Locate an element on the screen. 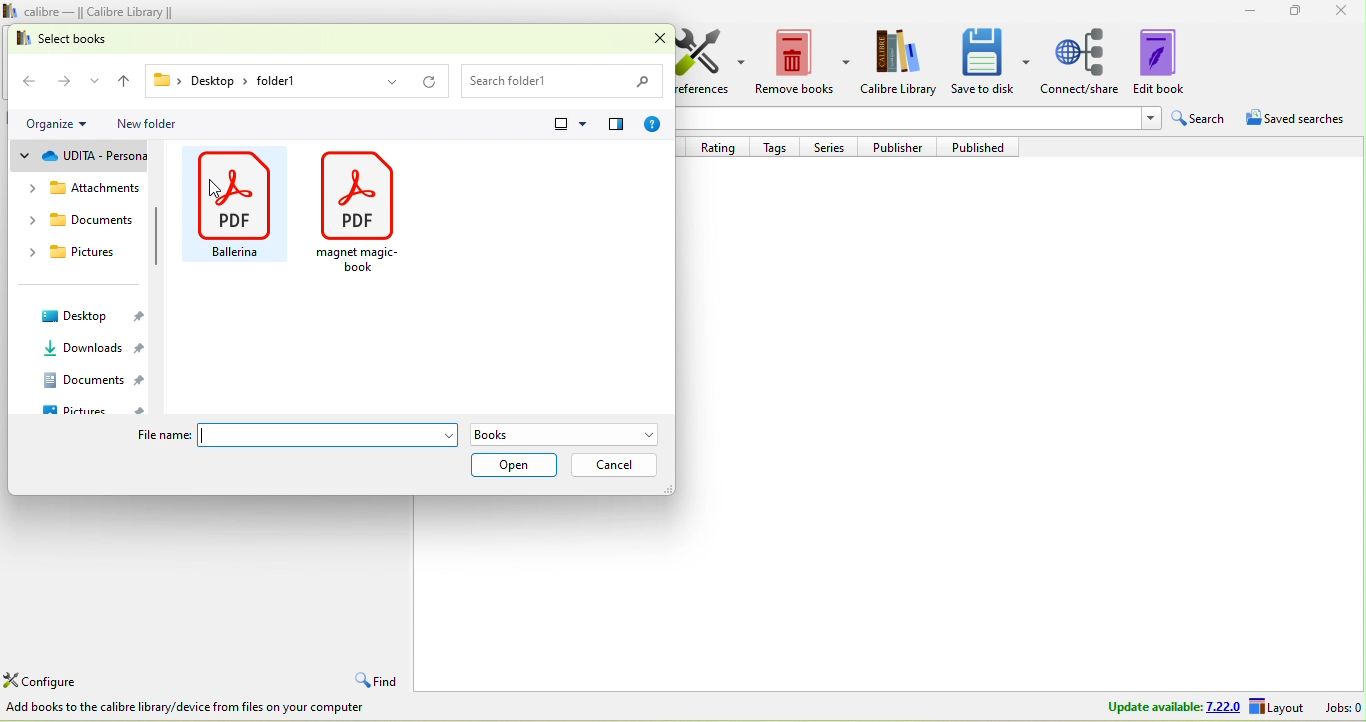 This screenshot has height=722, width=1366. documents is located at coordinates (85, 218).